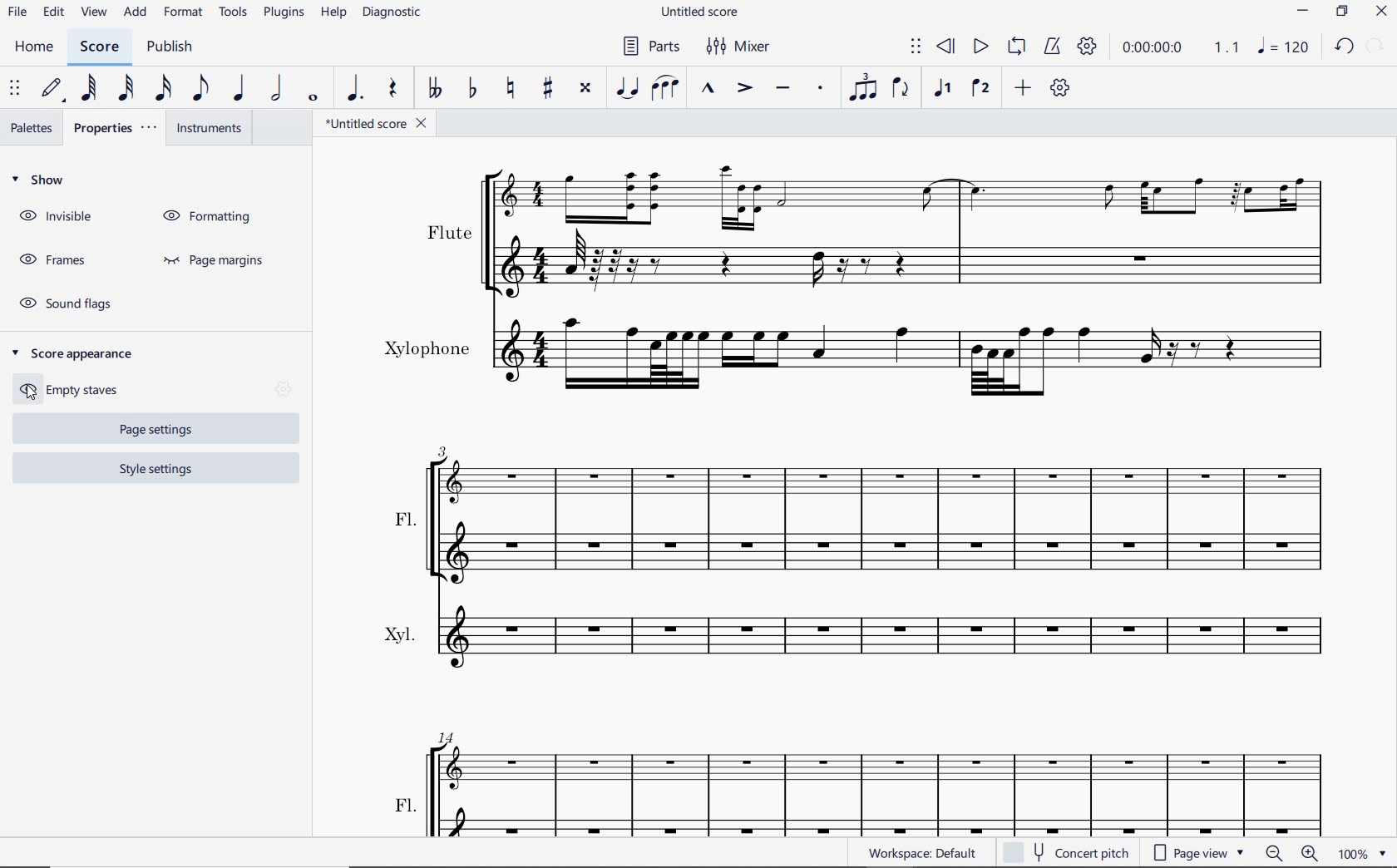 This screenshot has width=1397, height=868. What do you see at coordinates (114, 130) in the screenshot?
I see `PROPERTIES` at bounding box center [114, 130].